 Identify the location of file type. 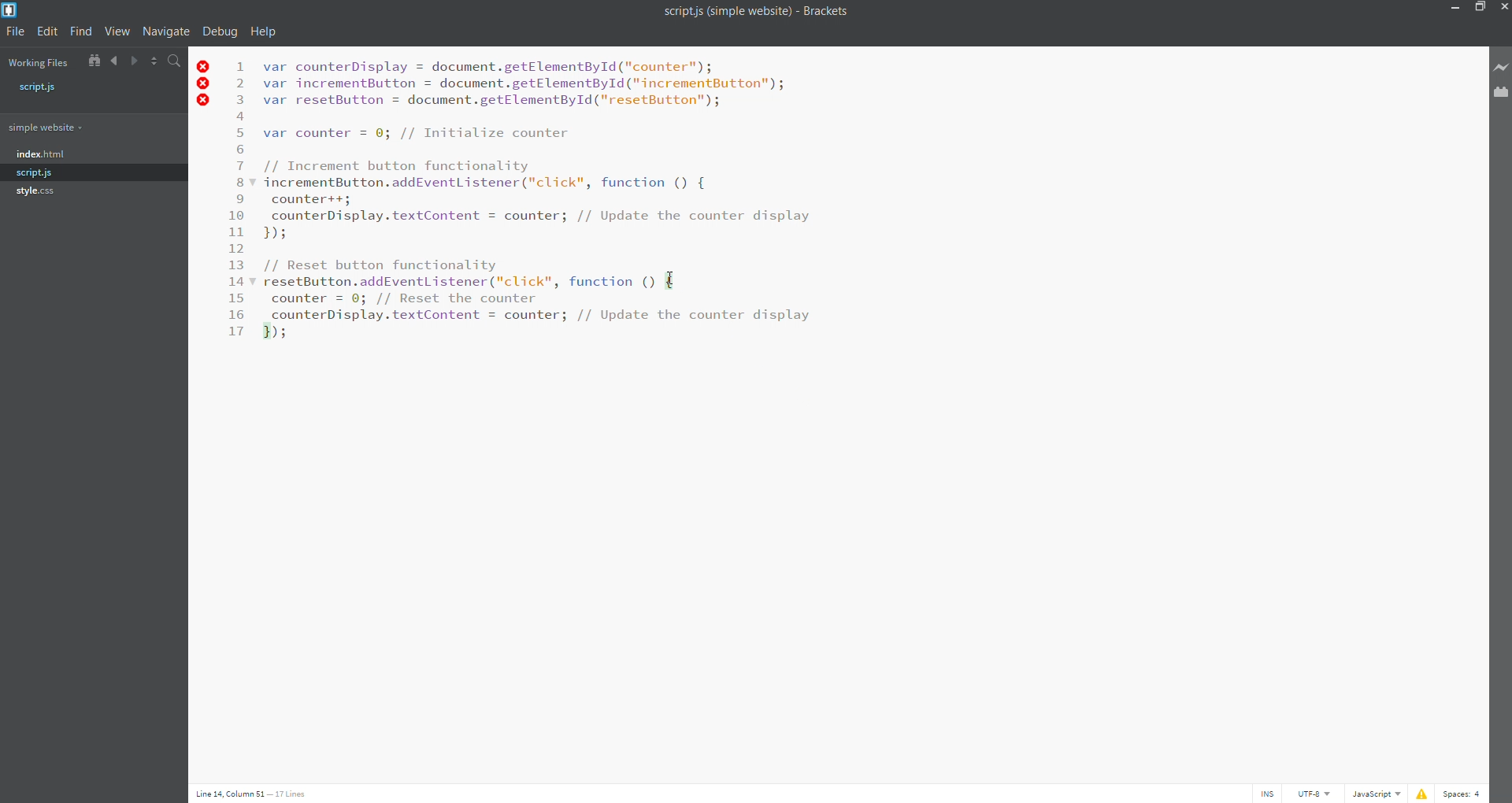
(1376, 794).